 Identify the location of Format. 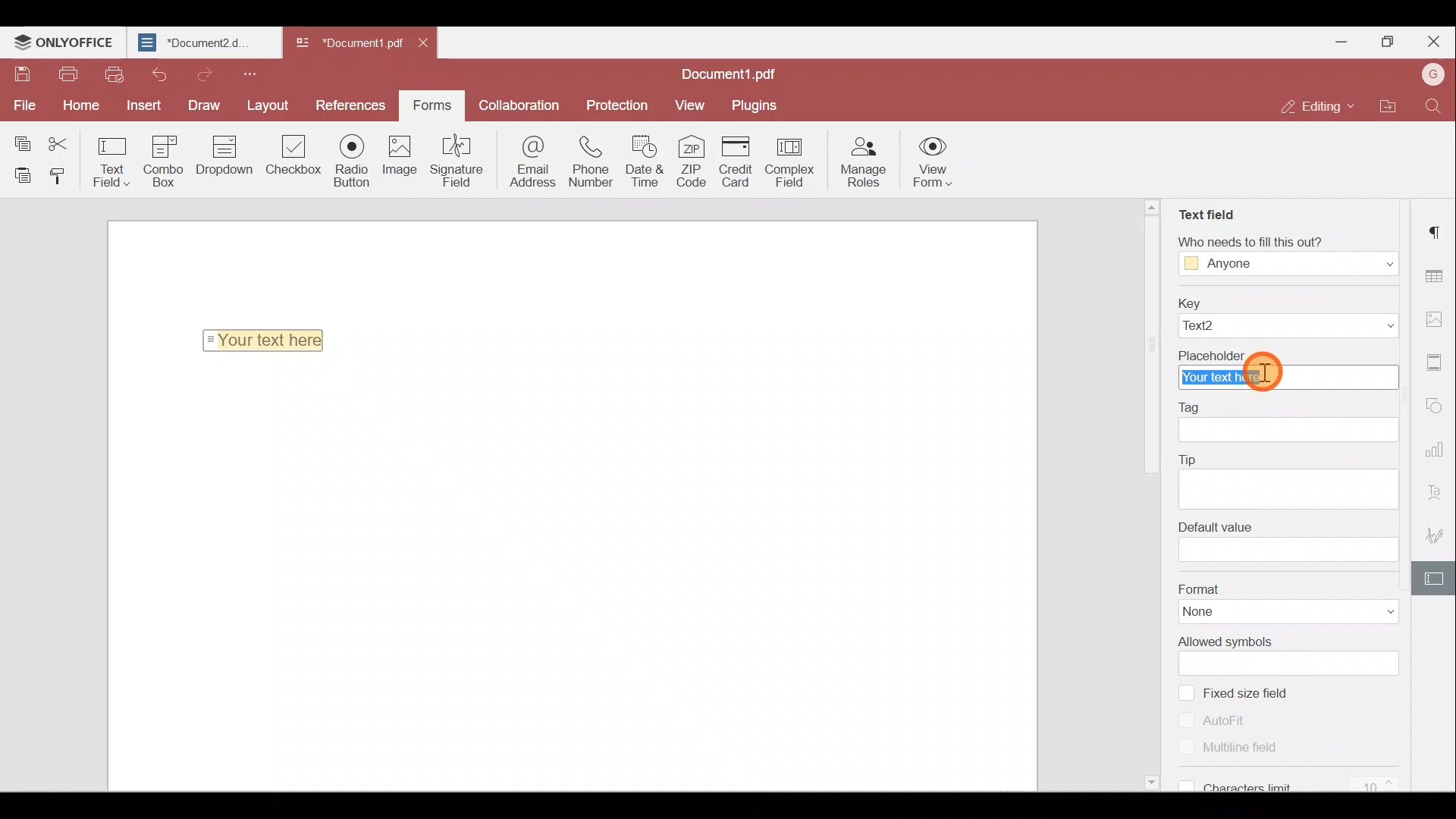
(1288, 588).